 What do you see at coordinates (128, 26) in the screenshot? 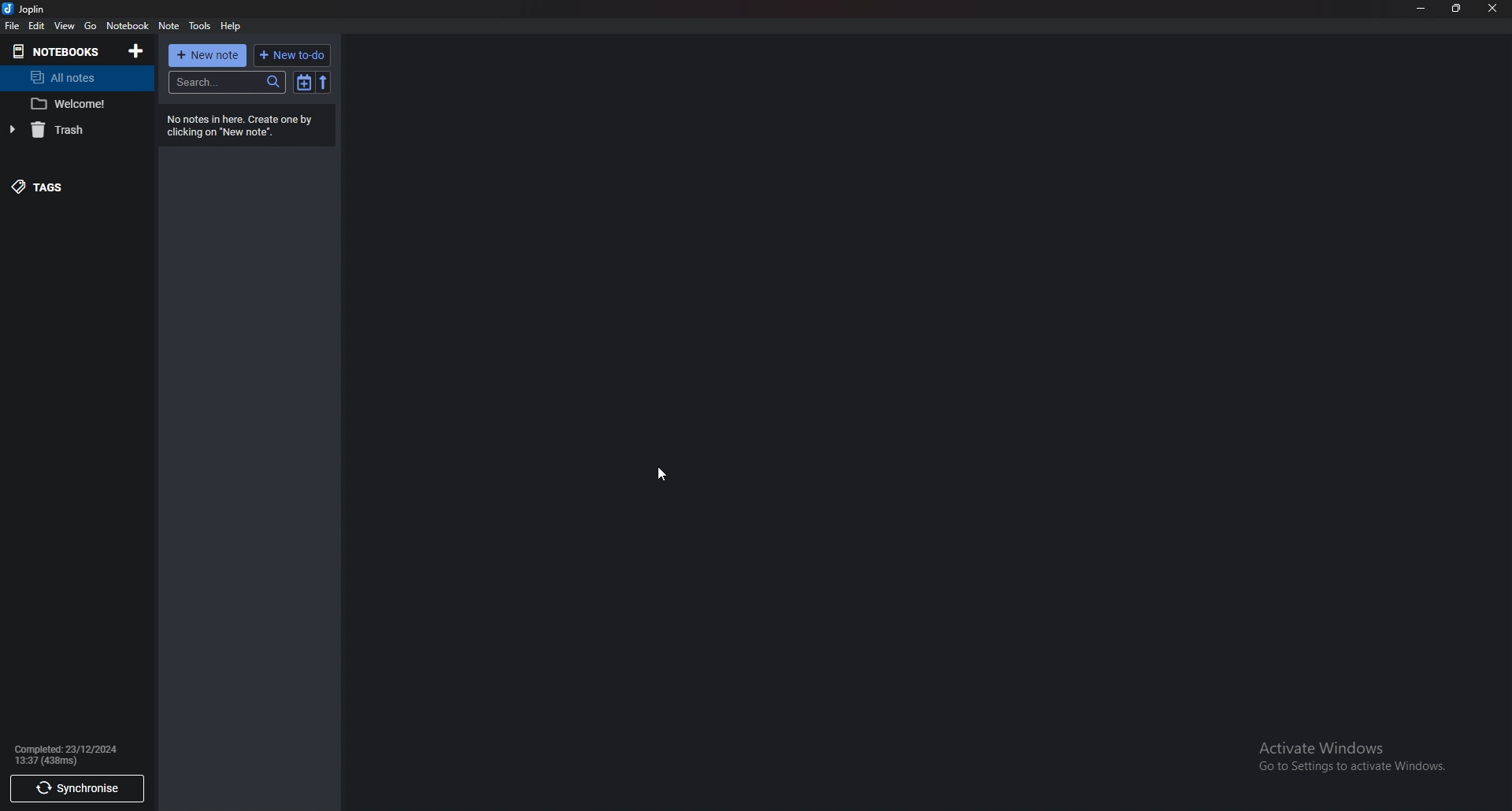
I see `Notebook` at bounding box center [128, 26].